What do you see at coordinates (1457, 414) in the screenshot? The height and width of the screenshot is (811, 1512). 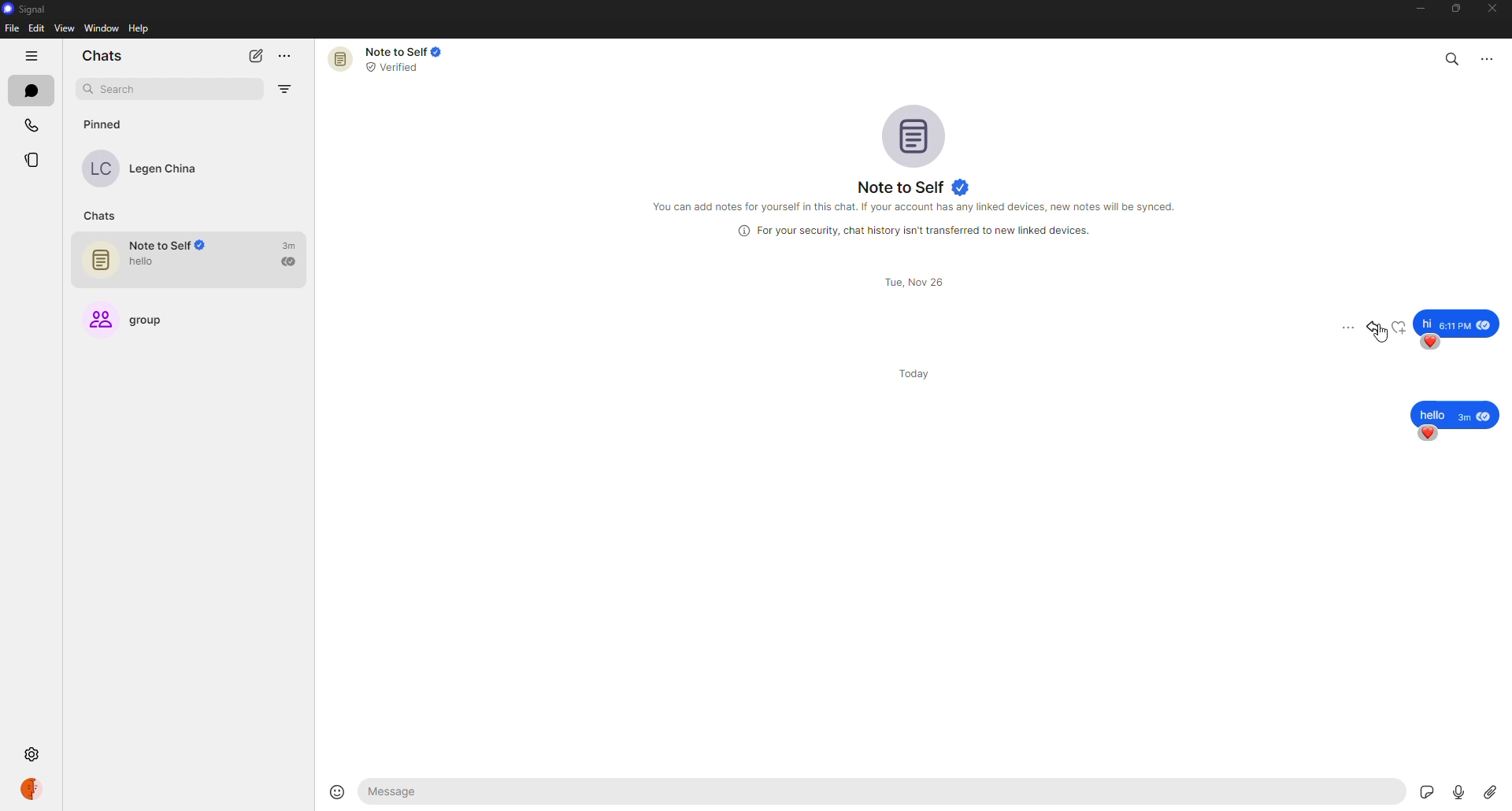 I see `message` at bounding box center [1457, 414].